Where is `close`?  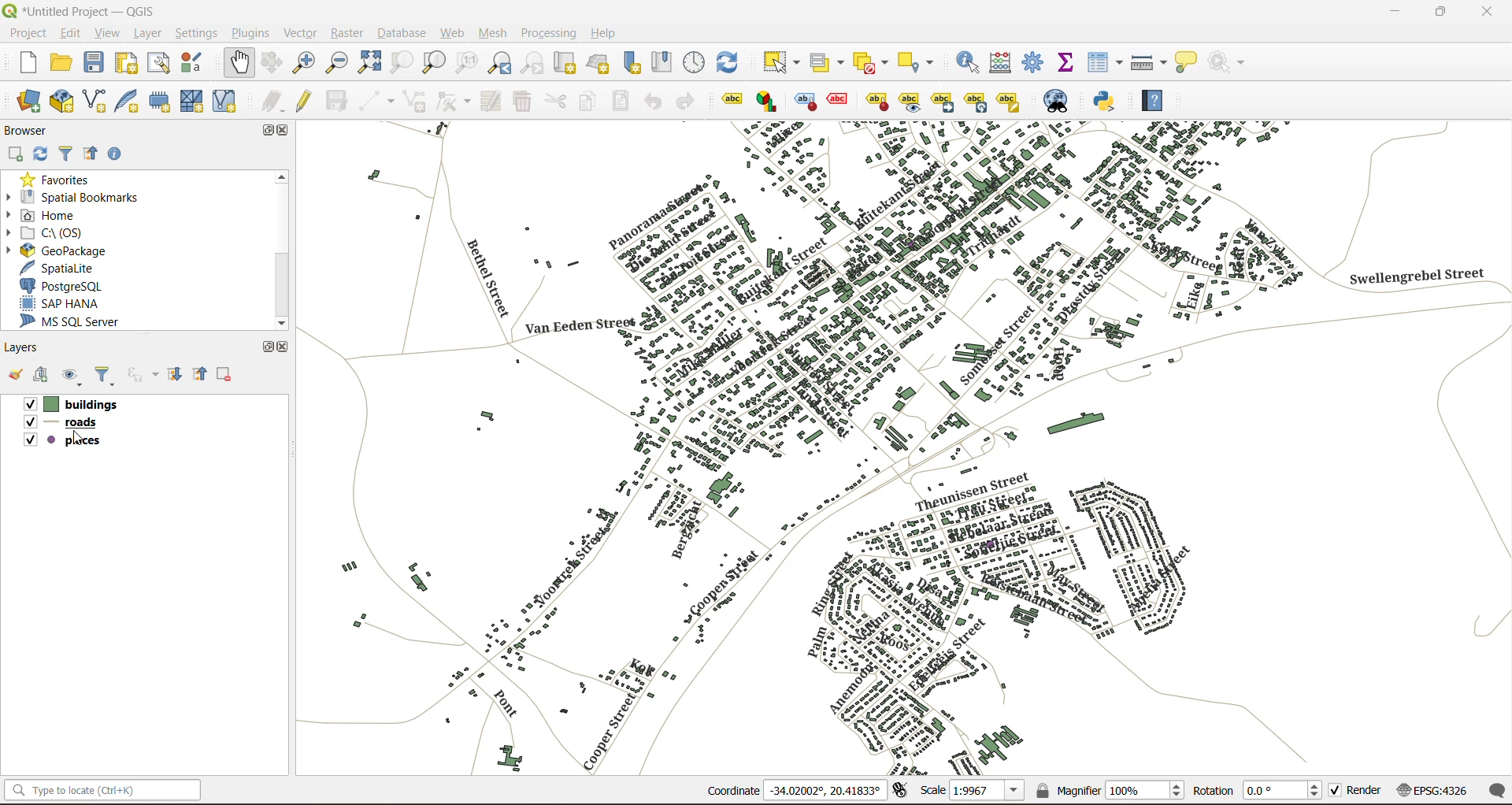 close is located at coordinates (287, 349).